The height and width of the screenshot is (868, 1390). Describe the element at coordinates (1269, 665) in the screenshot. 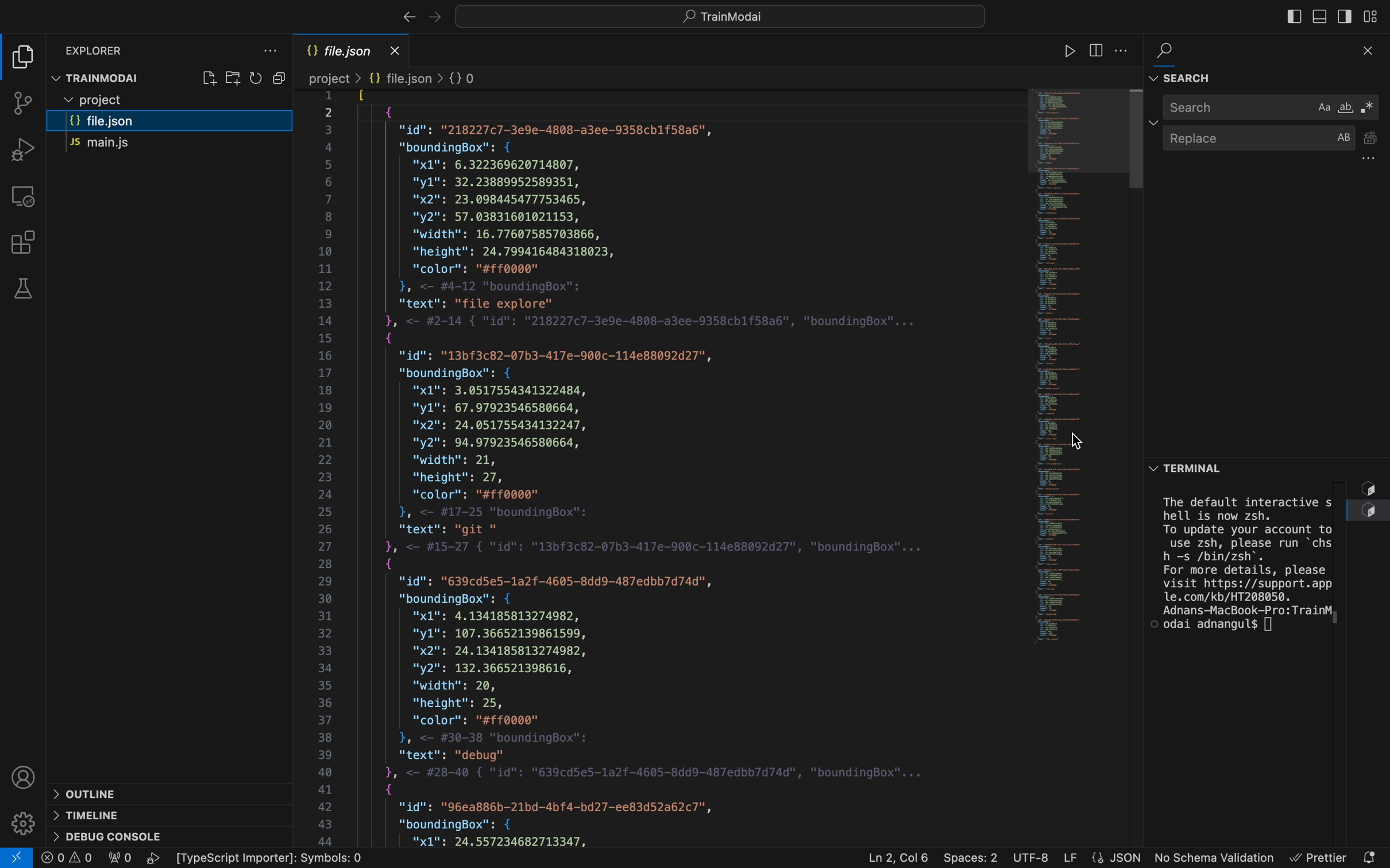

I see `terminal section` at that location.